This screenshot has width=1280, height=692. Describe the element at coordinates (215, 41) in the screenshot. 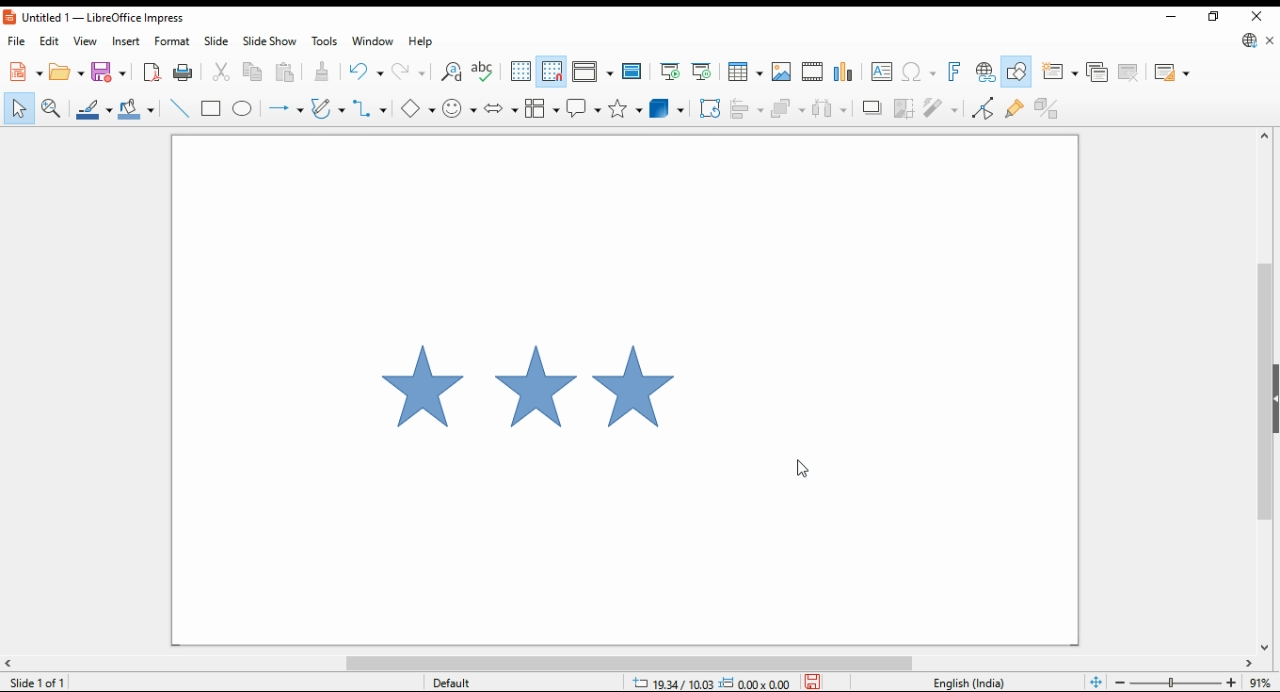

I see `slide` at that location.